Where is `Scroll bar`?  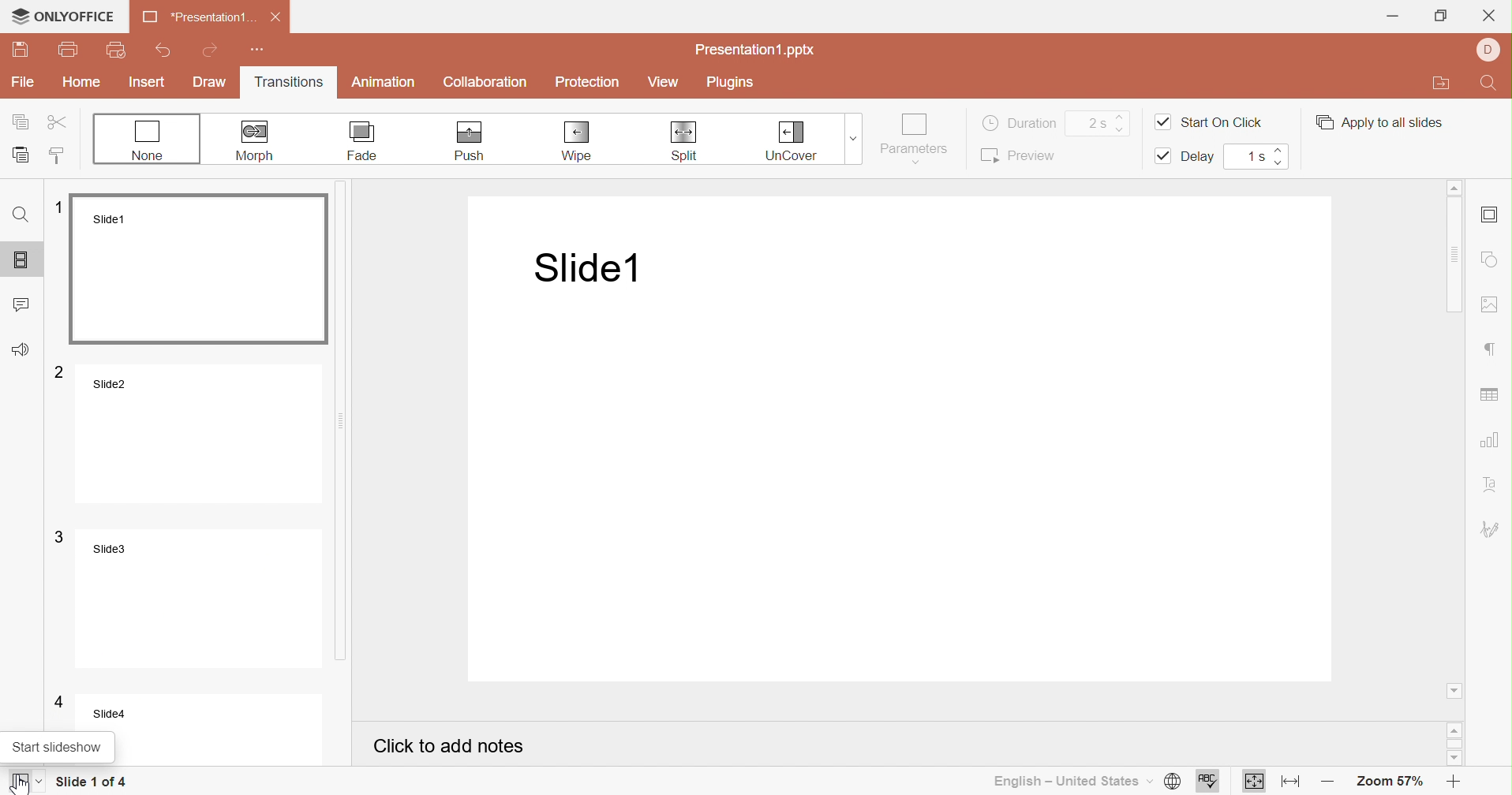 Scroll bar is located at coordinates (1456, 743).